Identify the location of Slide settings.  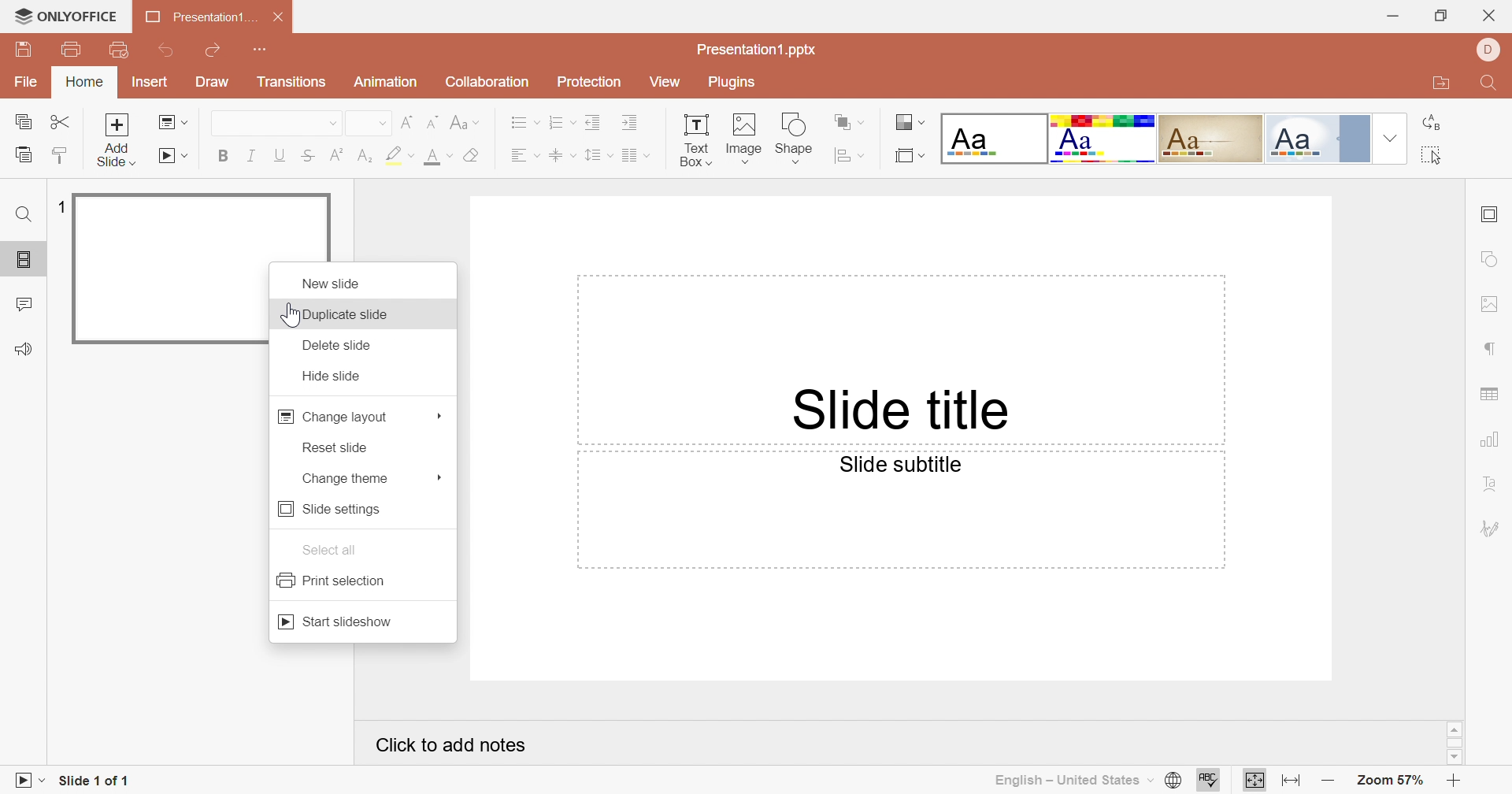
(340, 510).